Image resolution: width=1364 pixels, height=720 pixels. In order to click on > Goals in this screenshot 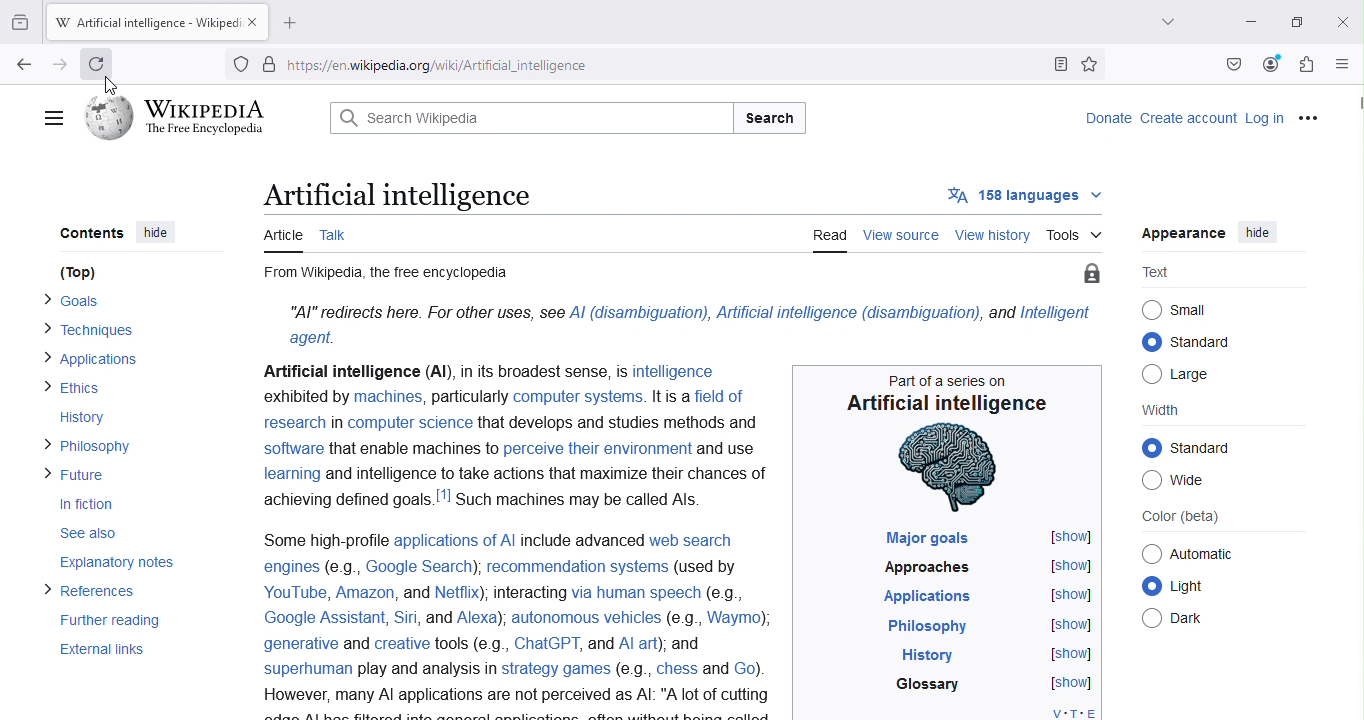, I will do `click(68, 299)`.